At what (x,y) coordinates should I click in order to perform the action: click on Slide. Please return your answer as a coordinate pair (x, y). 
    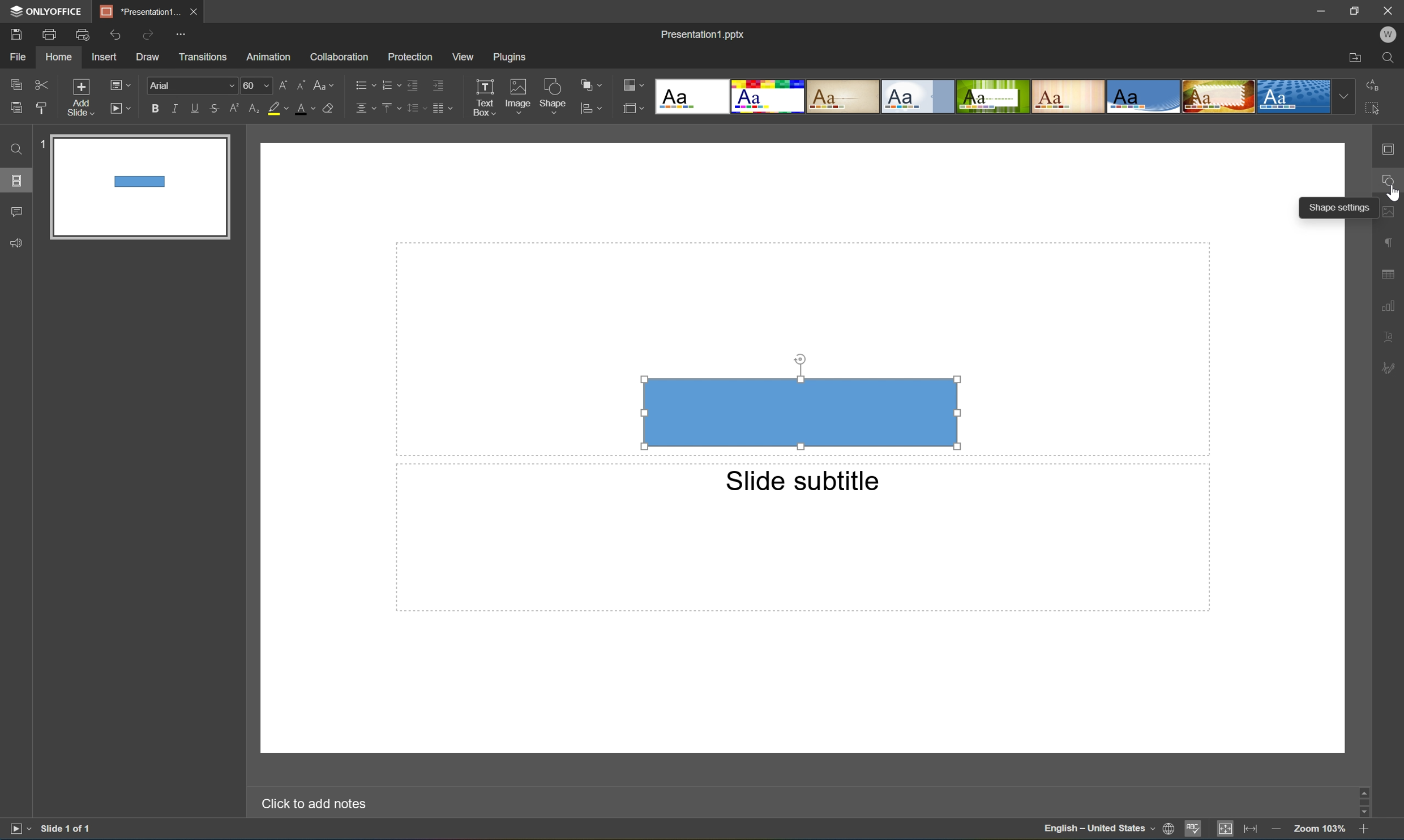
    Looking at the image, I should click on (139, 189).